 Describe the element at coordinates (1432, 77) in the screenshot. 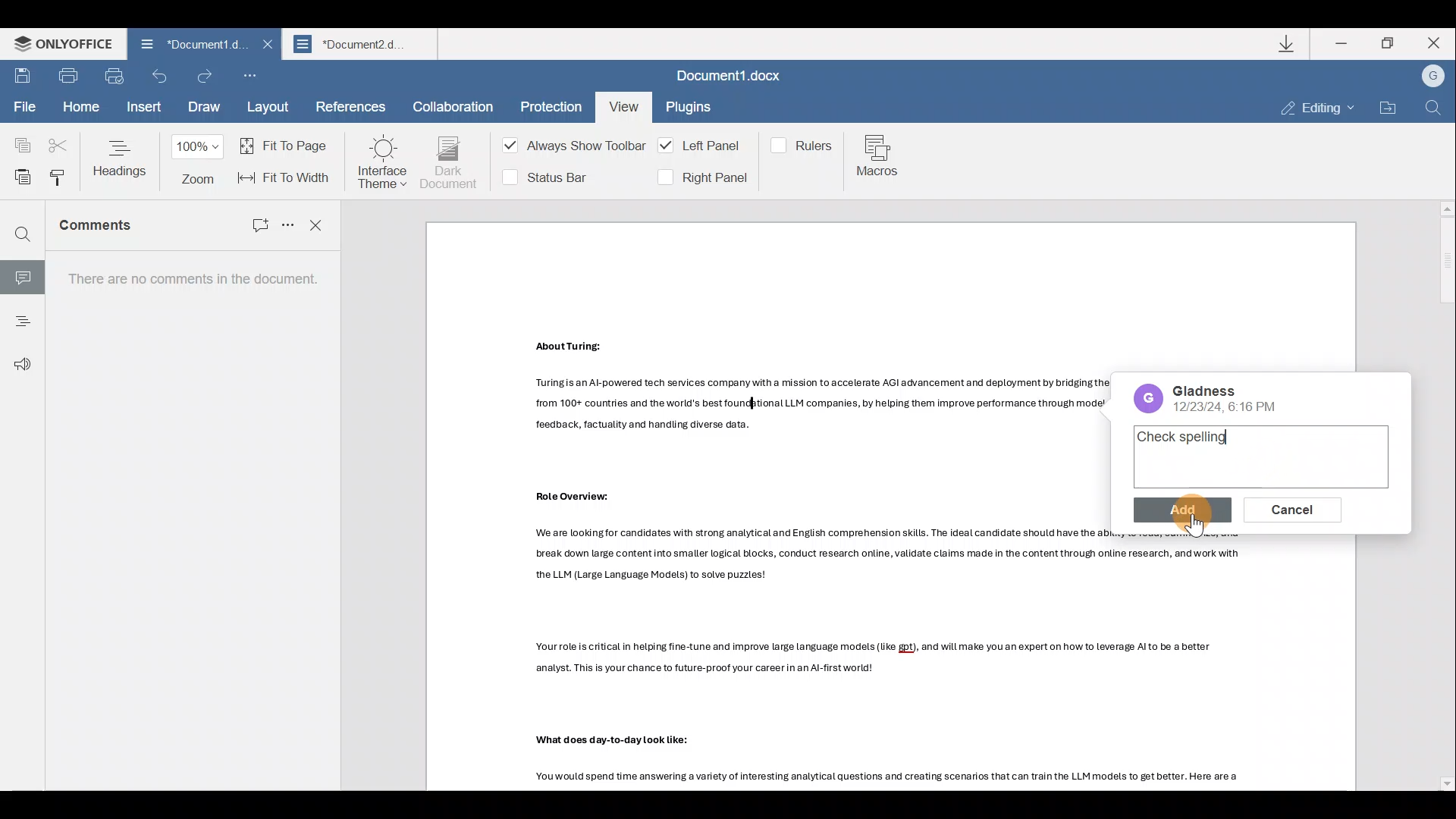

I see `Account name` at that location.